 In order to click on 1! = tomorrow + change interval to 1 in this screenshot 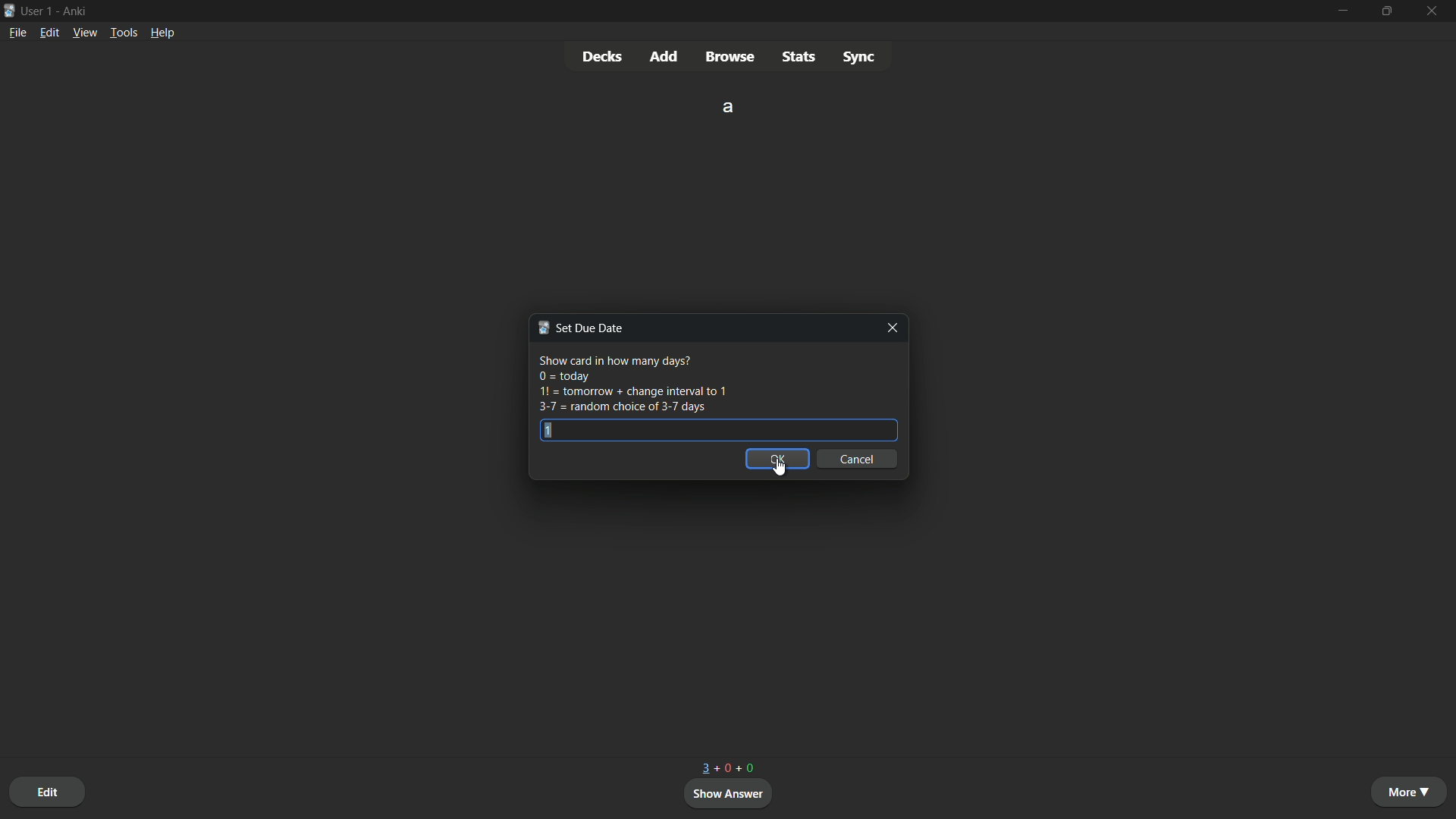, I will do `click(632, 392)`.